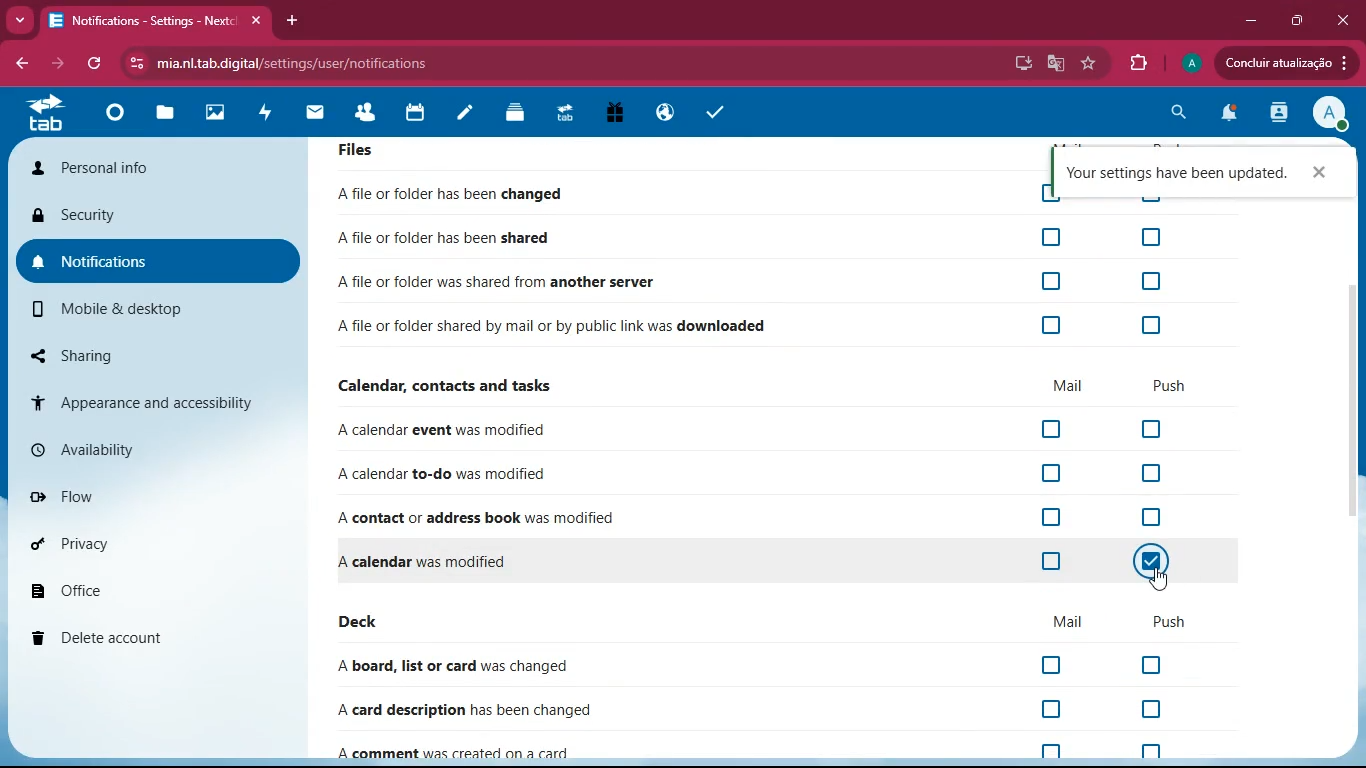 The width and height of the screenshot is (1366, 768). Describe the element at coordinates (1165, 385) in the screenshot. I see `push` at that location.